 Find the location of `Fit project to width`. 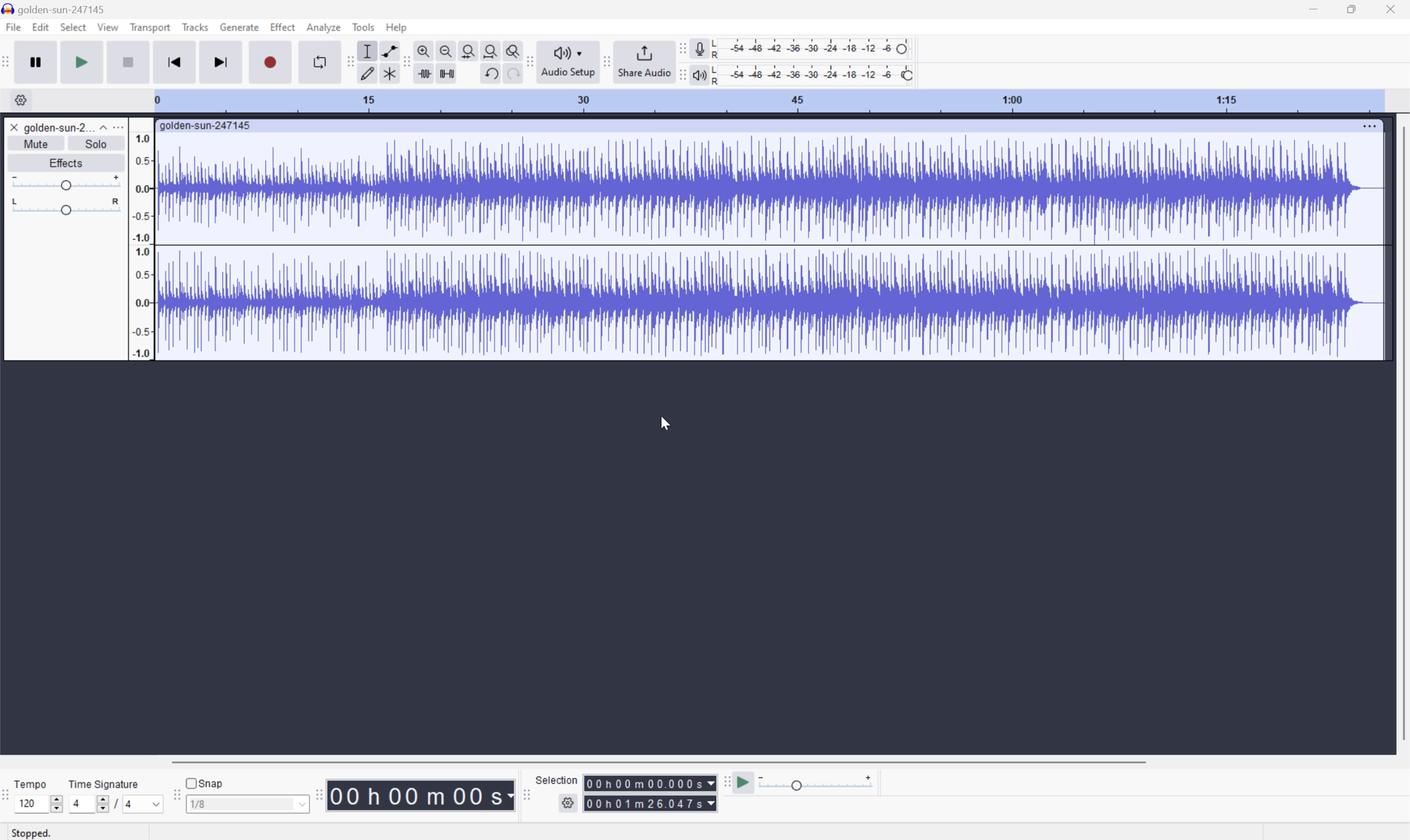

Fit project to width is located at coordinates (491, 51).